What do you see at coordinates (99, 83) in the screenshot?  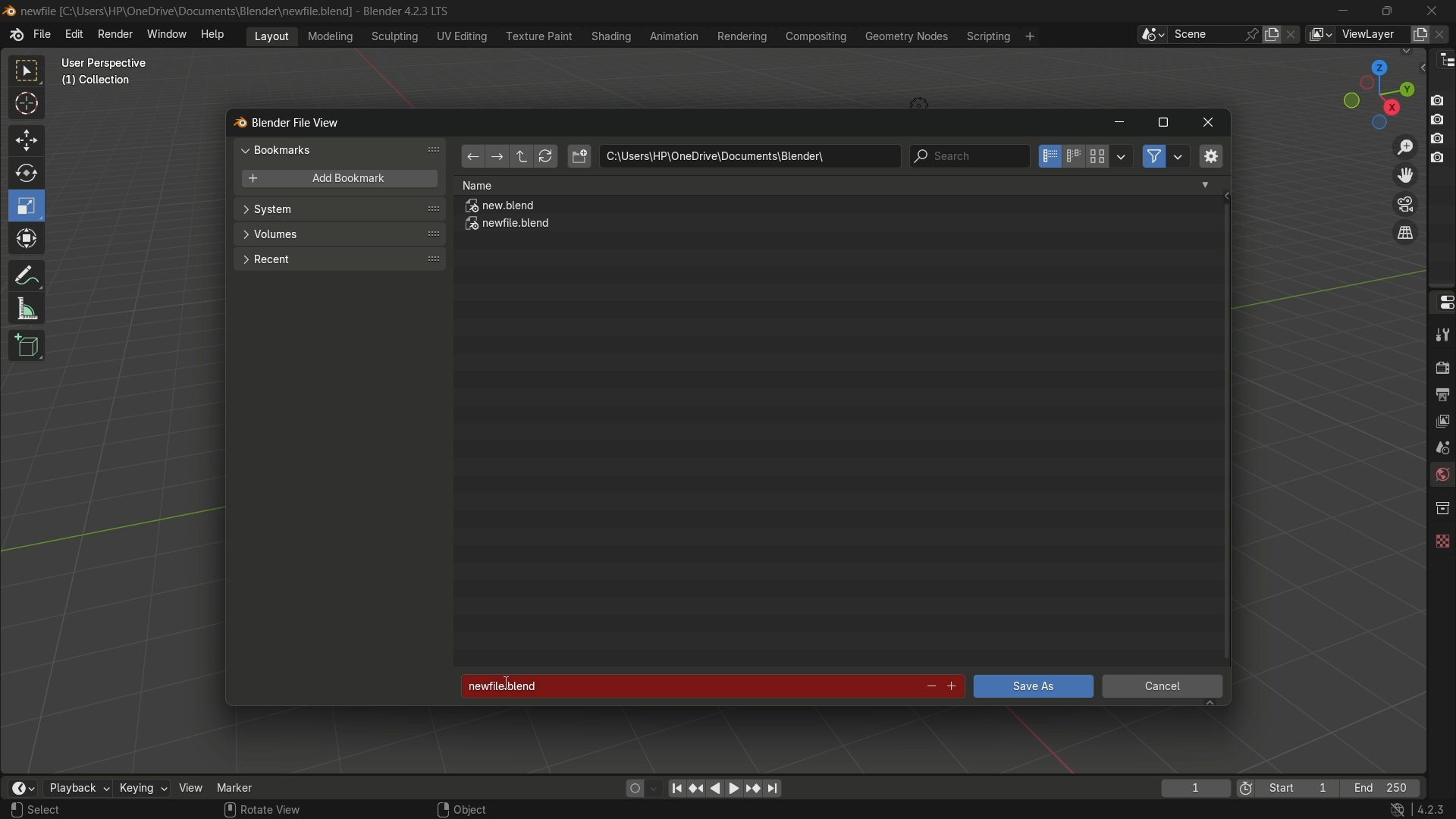 I see `Collection` at bounding box center [99, 83].